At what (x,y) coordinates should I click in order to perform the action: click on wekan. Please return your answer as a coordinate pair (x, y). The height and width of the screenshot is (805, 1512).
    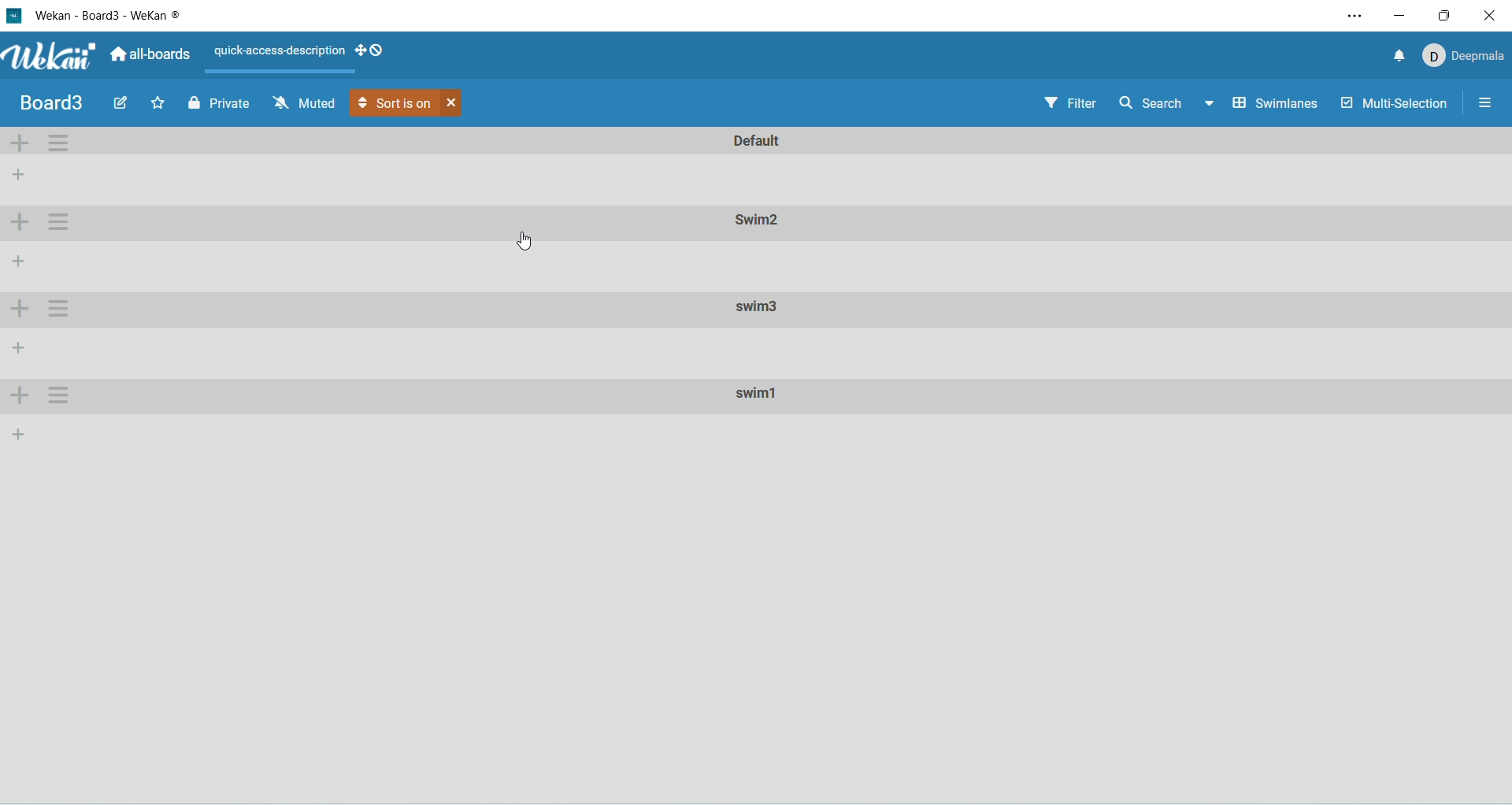
    Looking at the image, I should click on (50, 58).